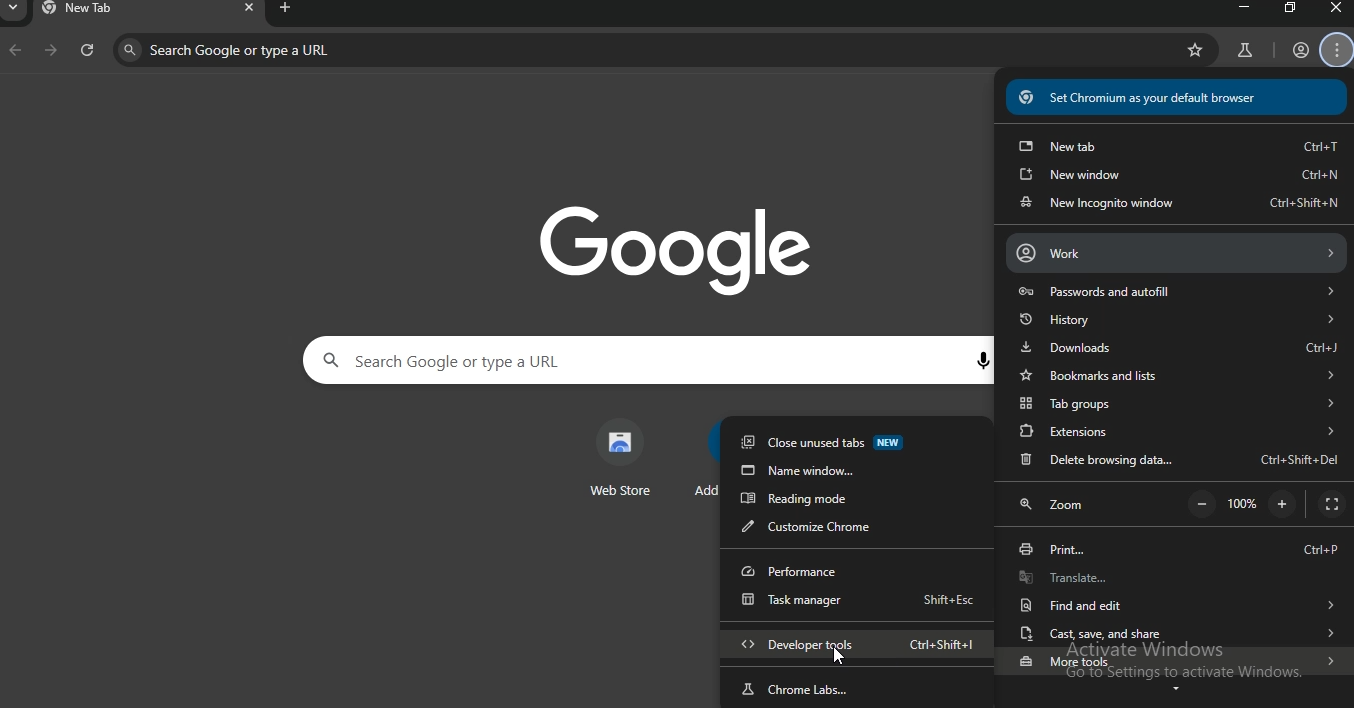 The height and width of the screenshot is (708, 1354). I want to click on translate, so click(1170, 580).